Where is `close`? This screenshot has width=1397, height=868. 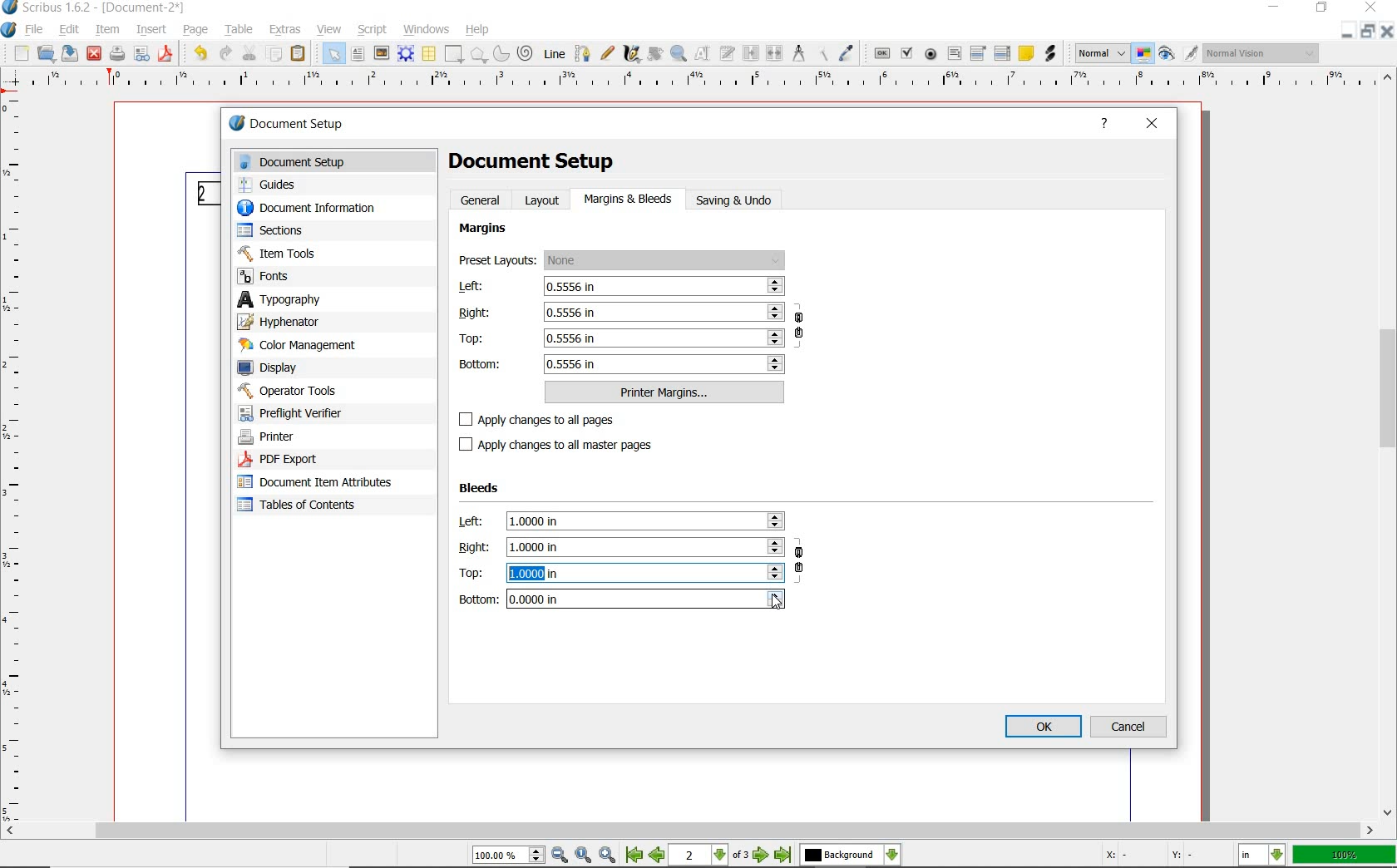 close is located at coordinates (94, 53).